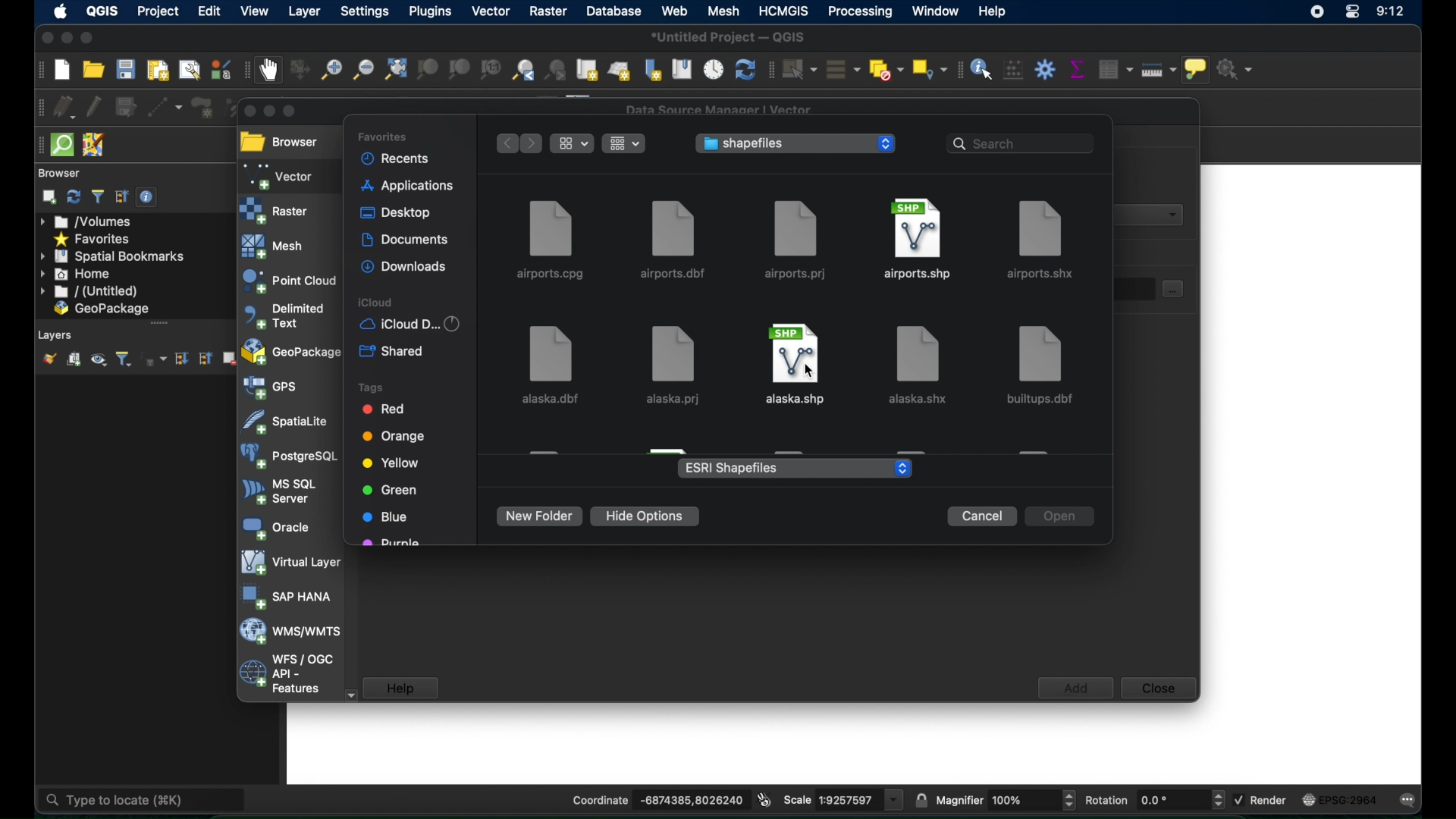 This screenshot has height=819, width=1456. Describe the element at coordinates (394, 70) in the screenshot. I see `zoom full` at that location.